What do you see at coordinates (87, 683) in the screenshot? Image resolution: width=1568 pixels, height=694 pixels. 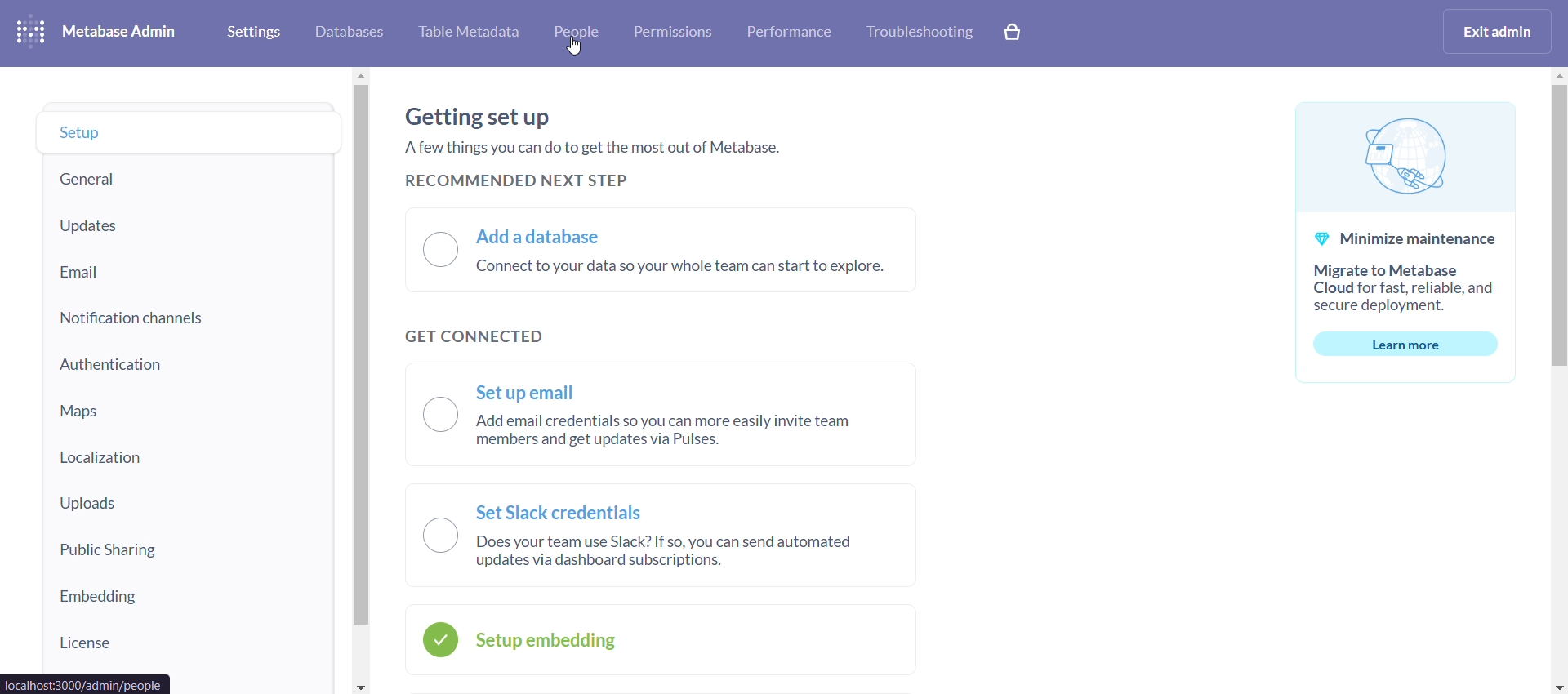 I see `url` at bounding box center [87, 683].